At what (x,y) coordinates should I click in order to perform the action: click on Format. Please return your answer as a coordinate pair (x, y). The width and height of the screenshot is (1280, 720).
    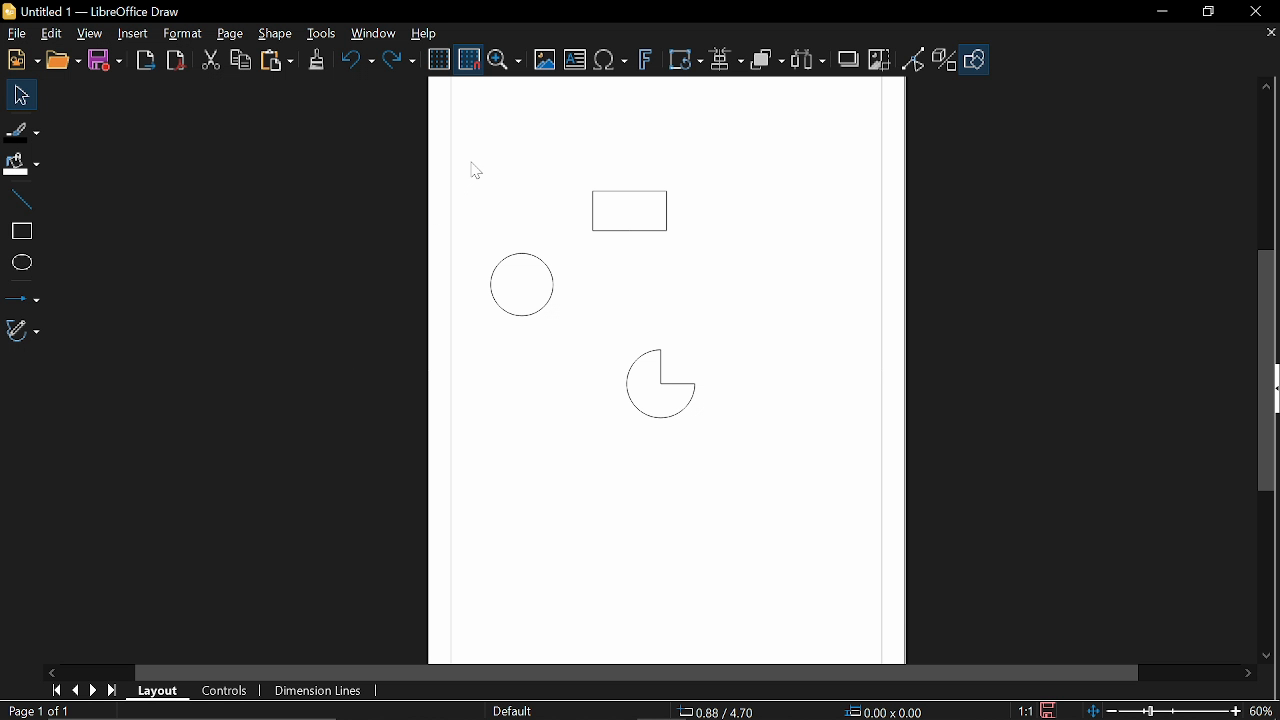
    Looking at the image, I should click on (181, 34).